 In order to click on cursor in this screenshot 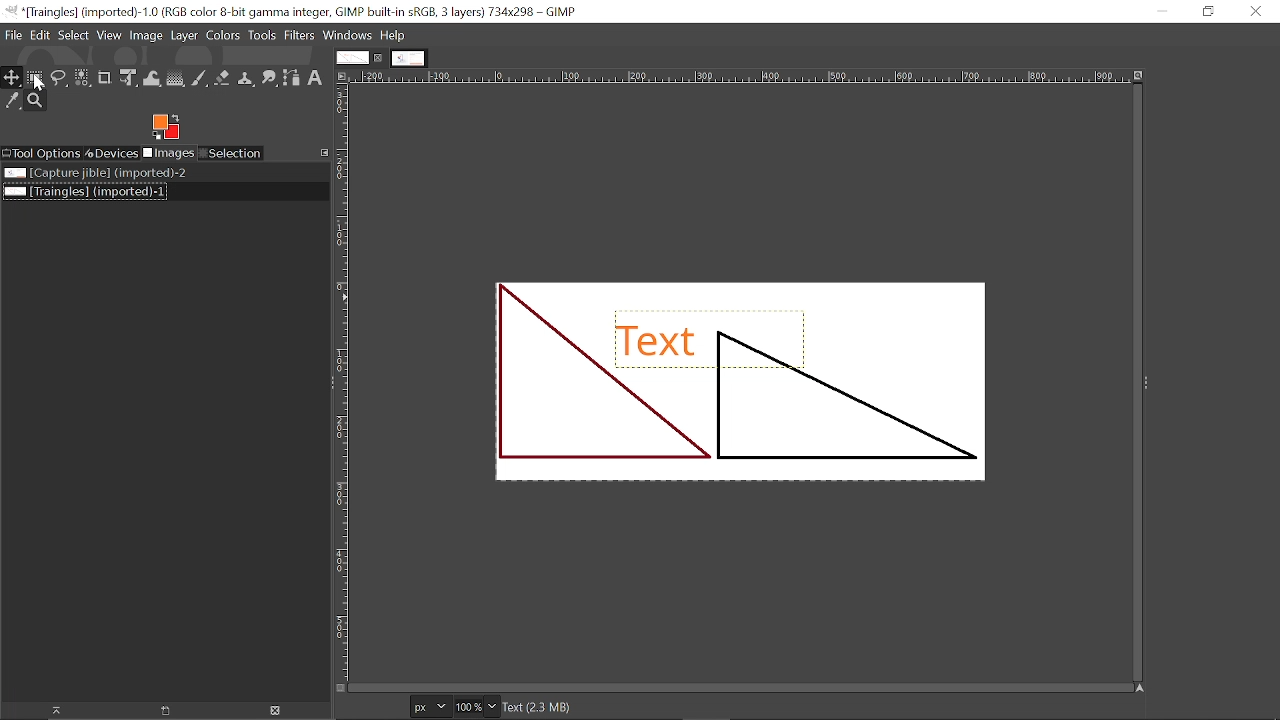, I will do `click(38, 82)`.